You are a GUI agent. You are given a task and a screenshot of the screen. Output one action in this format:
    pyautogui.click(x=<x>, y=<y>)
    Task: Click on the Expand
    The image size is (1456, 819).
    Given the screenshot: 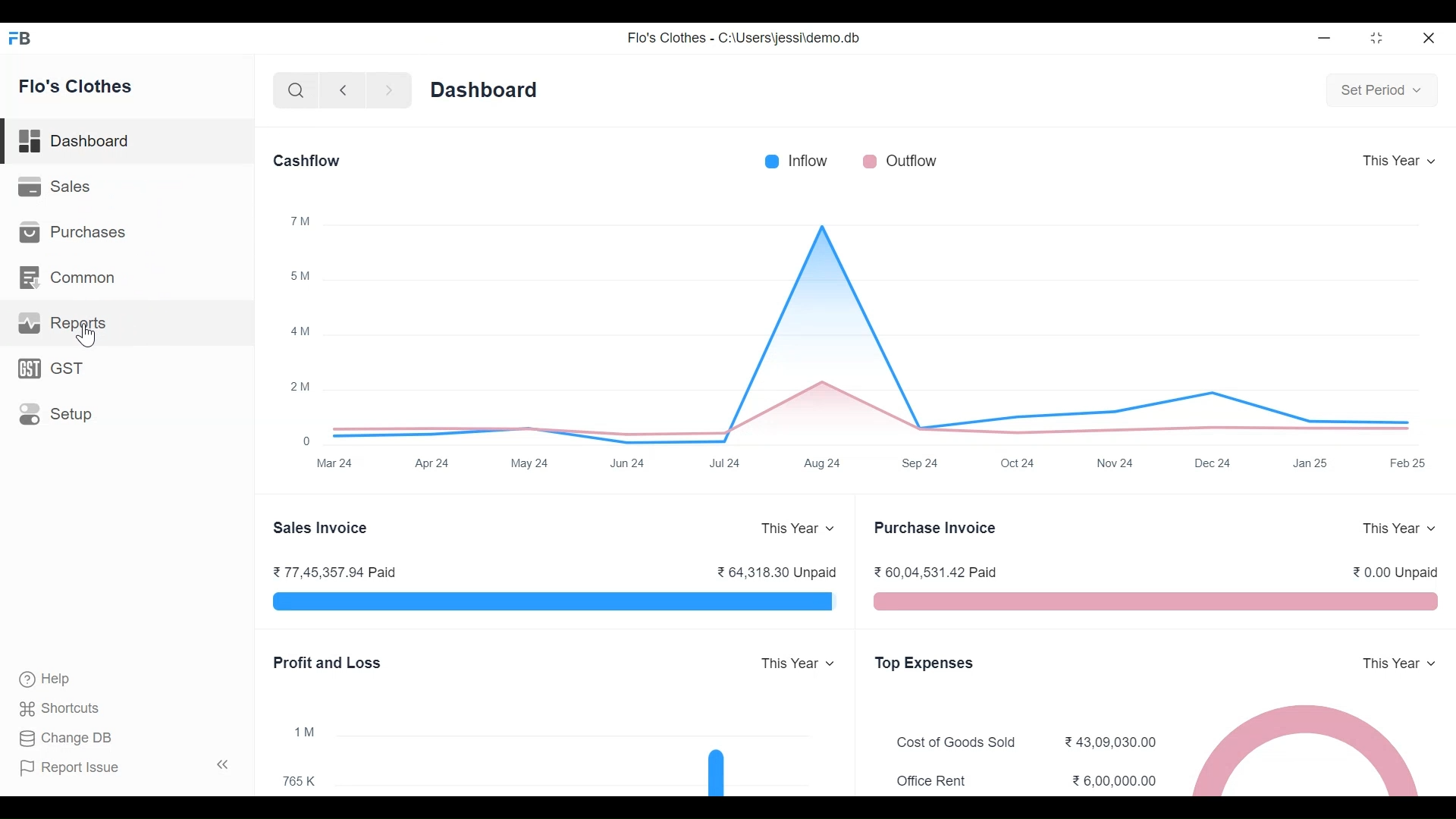 What is the action you would take?
    pyautogui.click(x=830, y=529)
    